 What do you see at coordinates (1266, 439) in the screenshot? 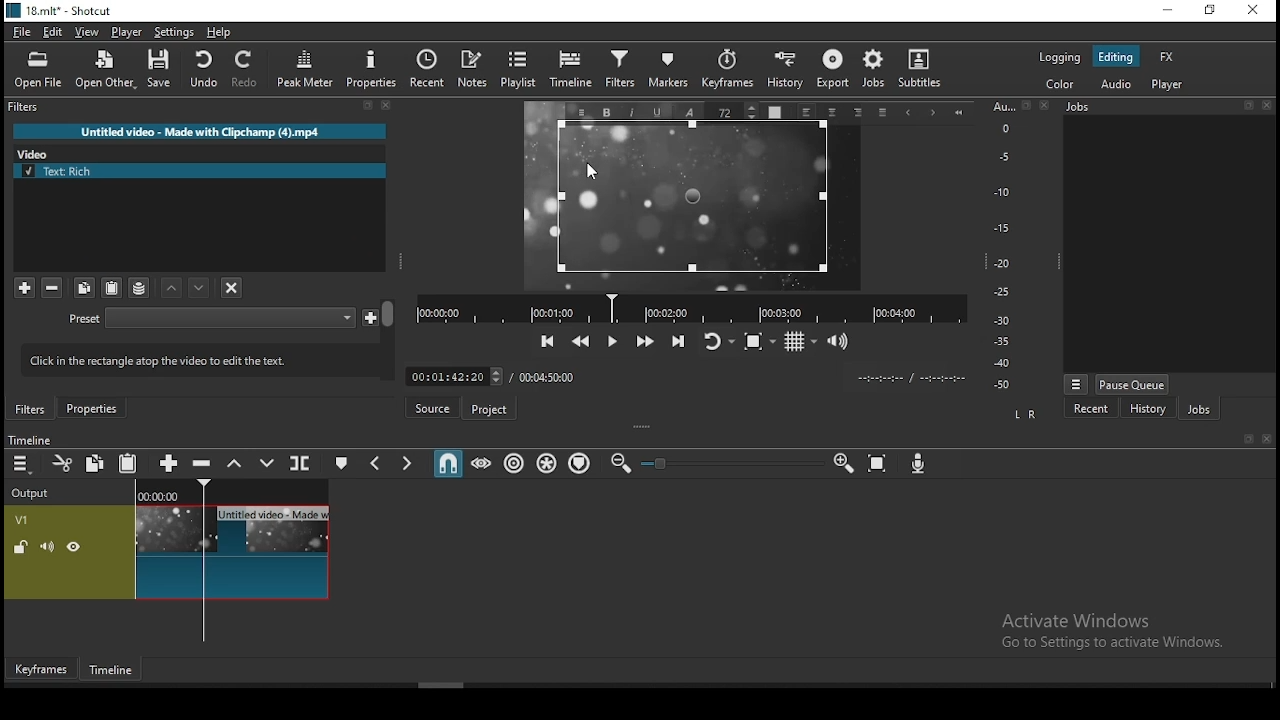
I see `Close` at bounding box center [1266, 439].